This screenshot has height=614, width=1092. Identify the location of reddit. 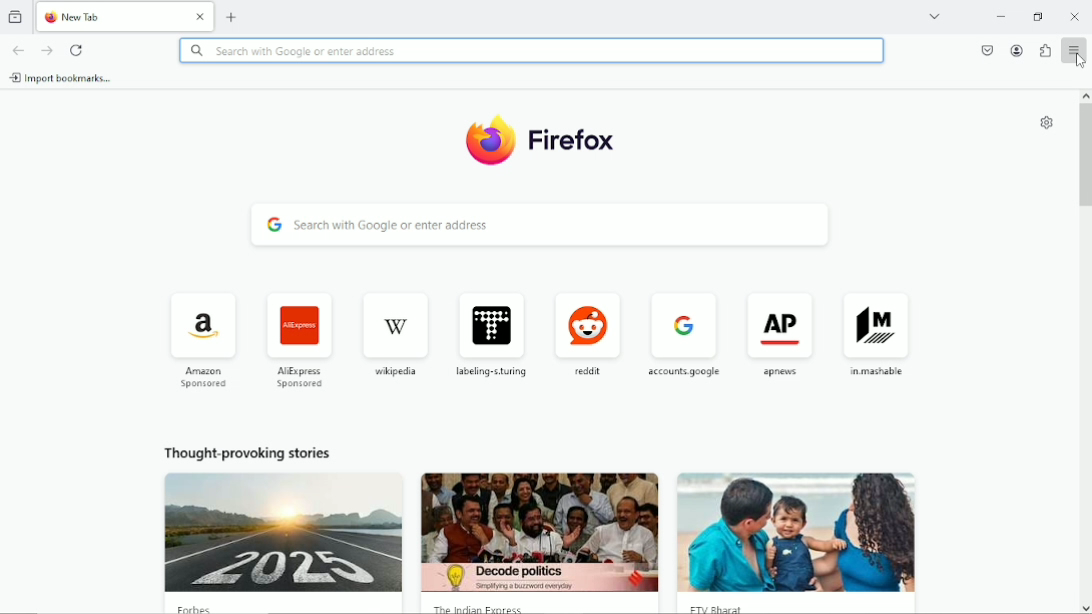
(585, 329).